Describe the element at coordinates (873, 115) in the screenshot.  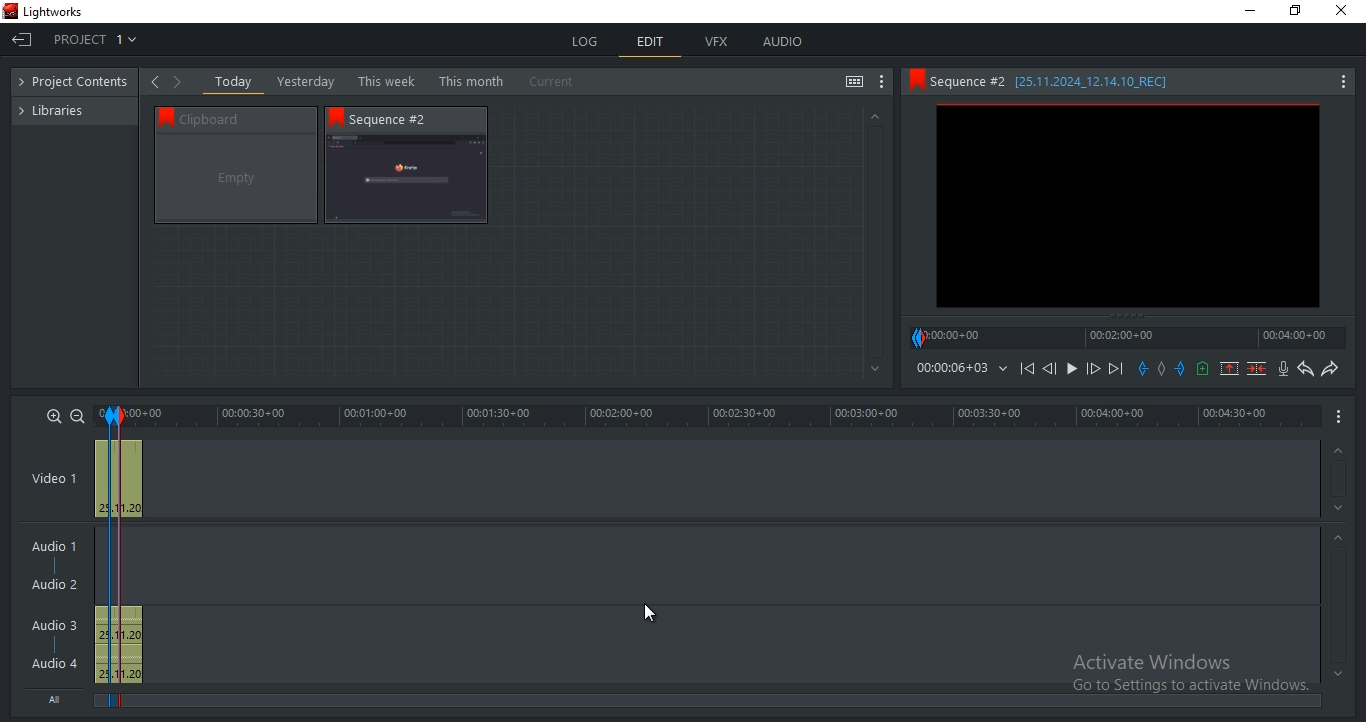
I see `greyed out up arrow` at that location.